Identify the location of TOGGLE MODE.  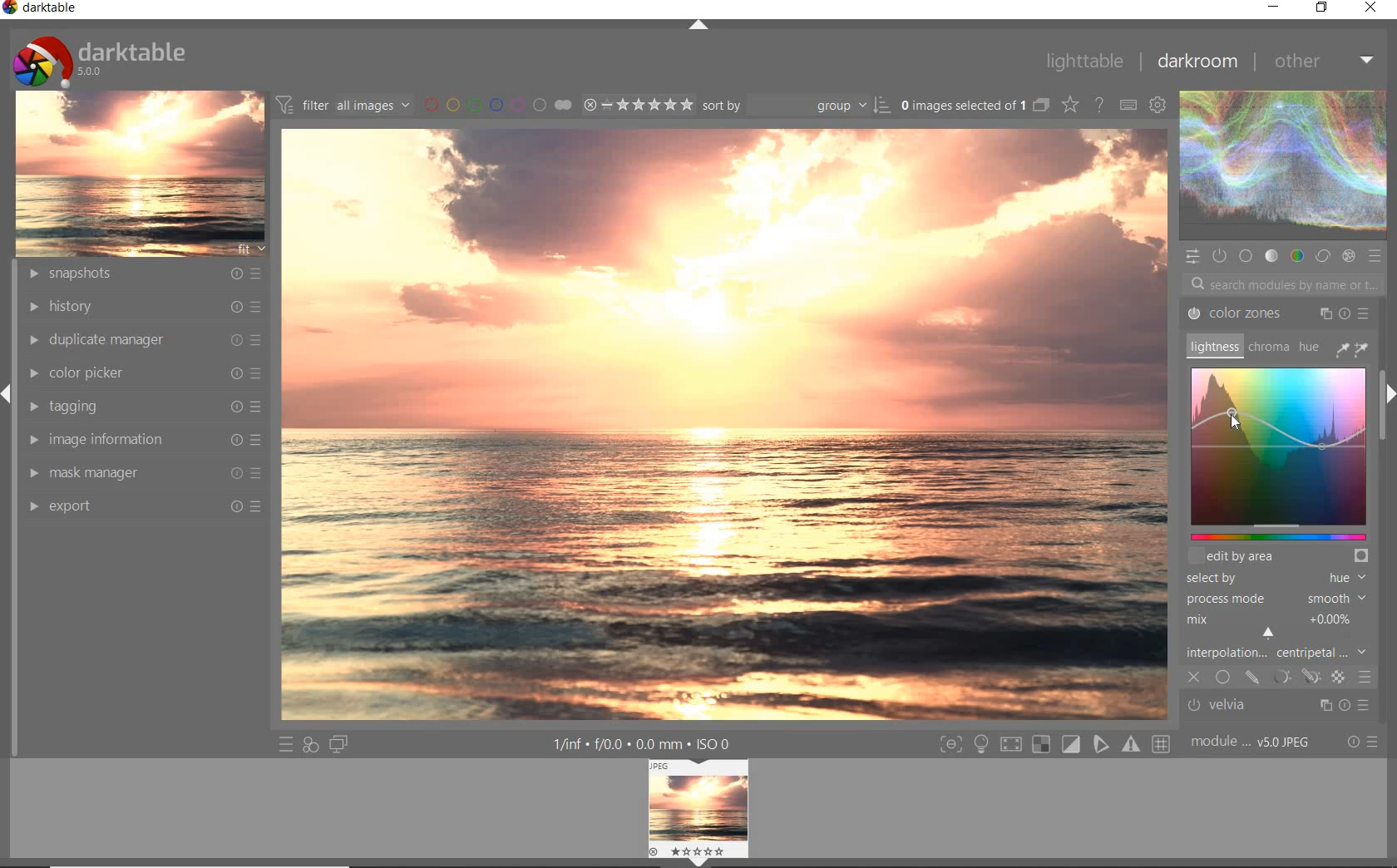
(1054, 744).